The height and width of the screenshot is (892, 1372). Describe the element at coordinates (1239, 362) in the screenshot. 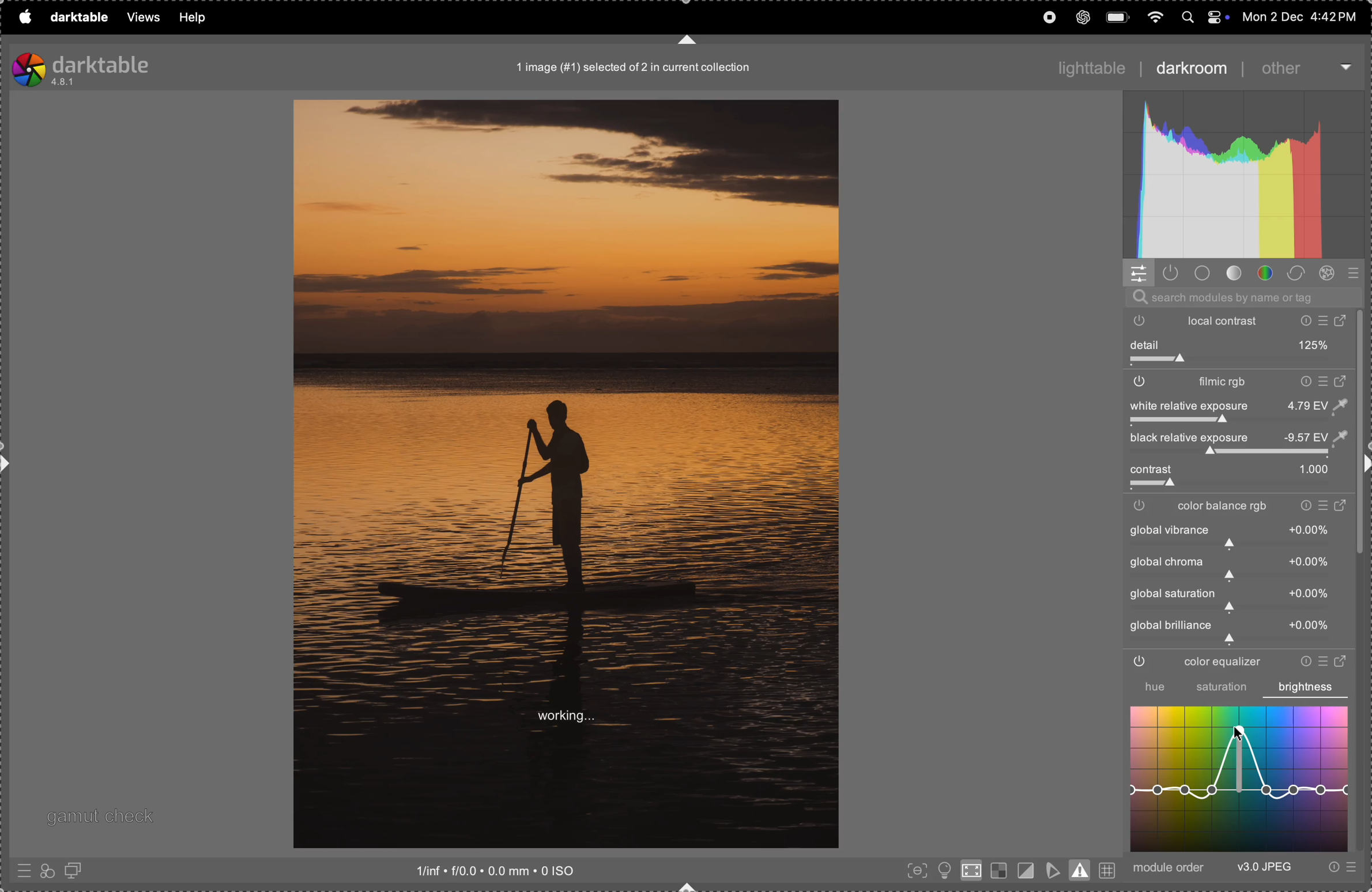

I see `toggle bar` at that location.